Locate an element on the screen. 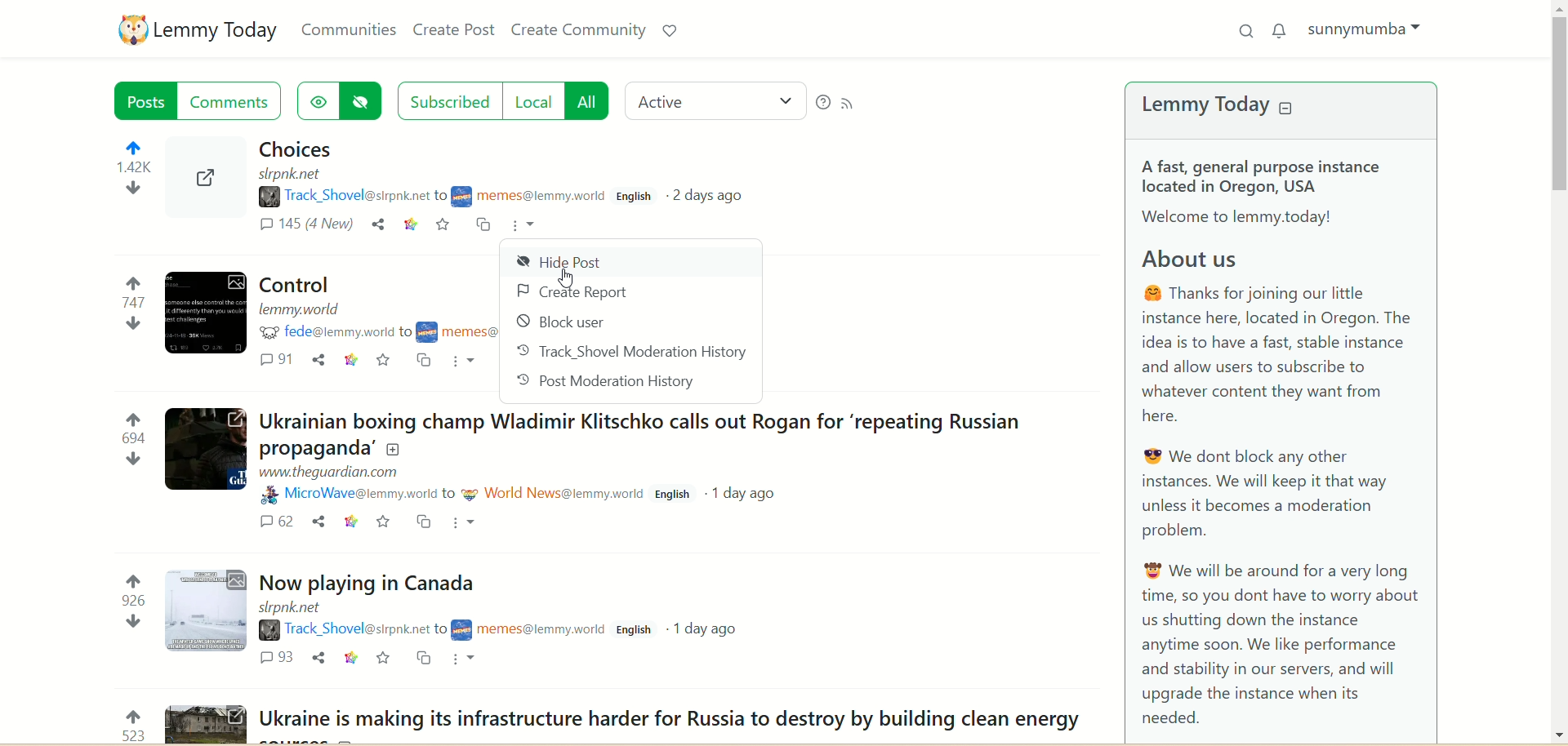  favorite is located at coordinates (387, 659).